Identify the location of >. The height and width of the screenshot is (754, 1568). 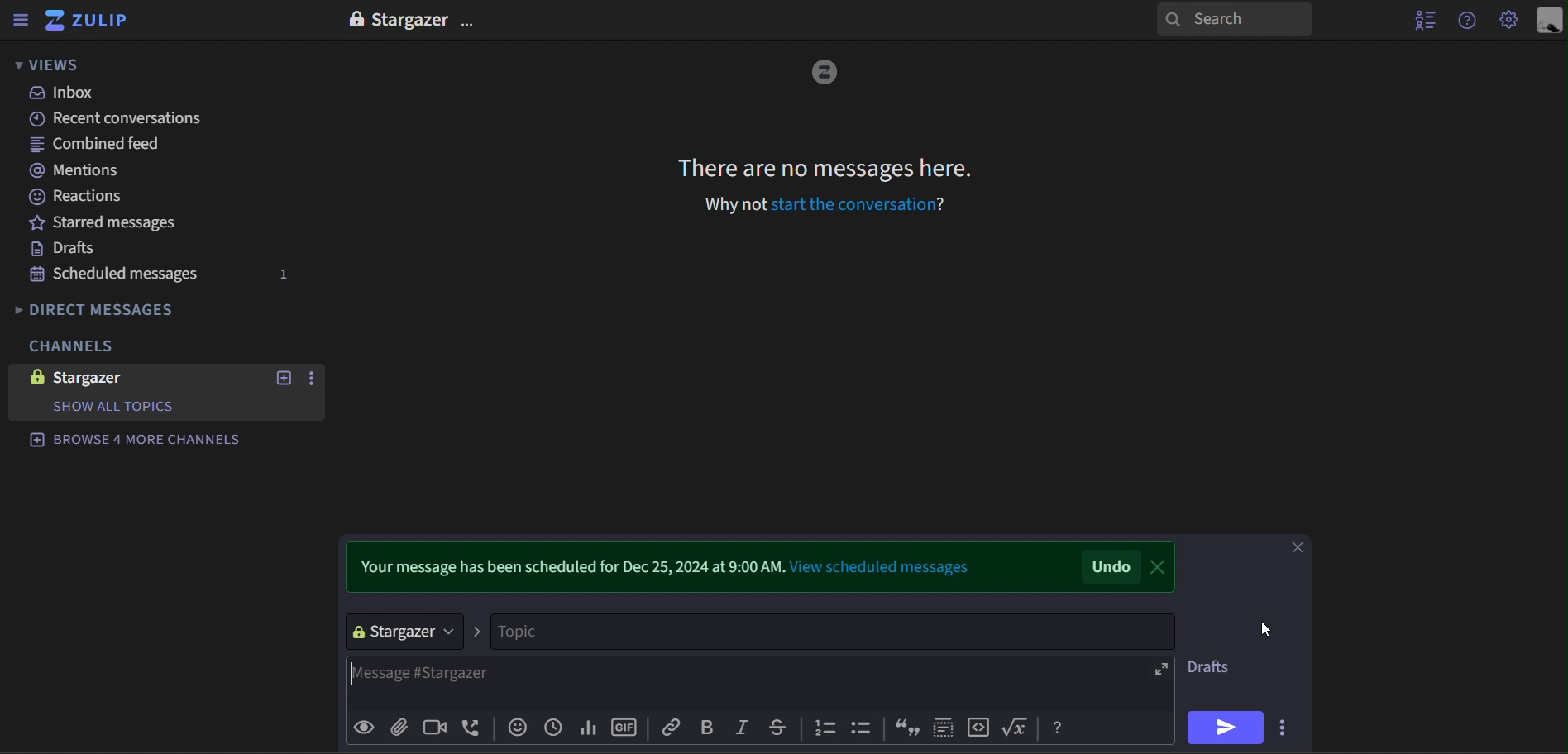
(480, 631).